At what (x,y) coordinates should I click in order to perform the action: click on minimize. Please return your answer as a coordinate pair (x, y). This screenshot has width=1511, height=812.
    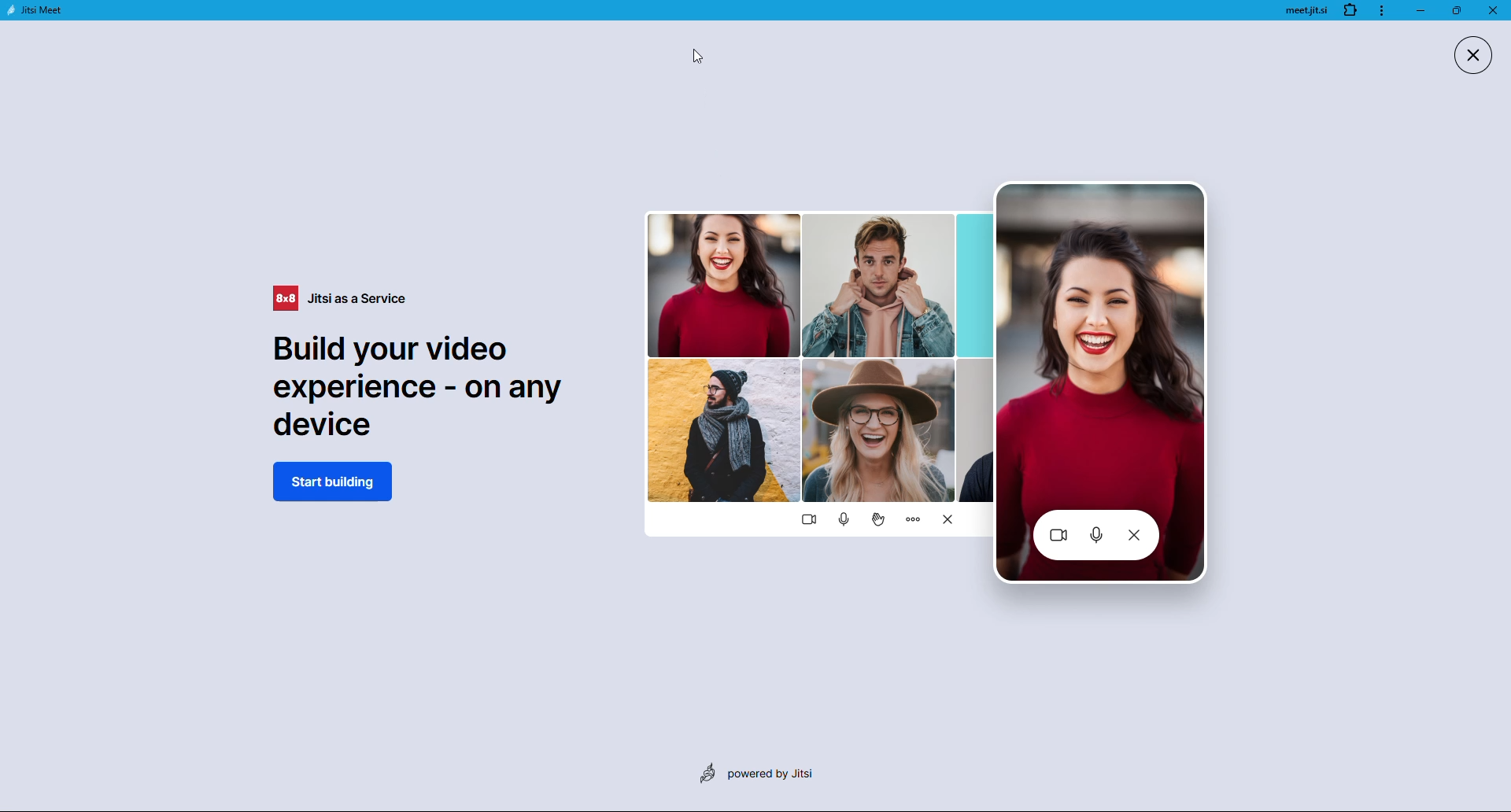
    Looking at the image, I should click on (1419, 12).